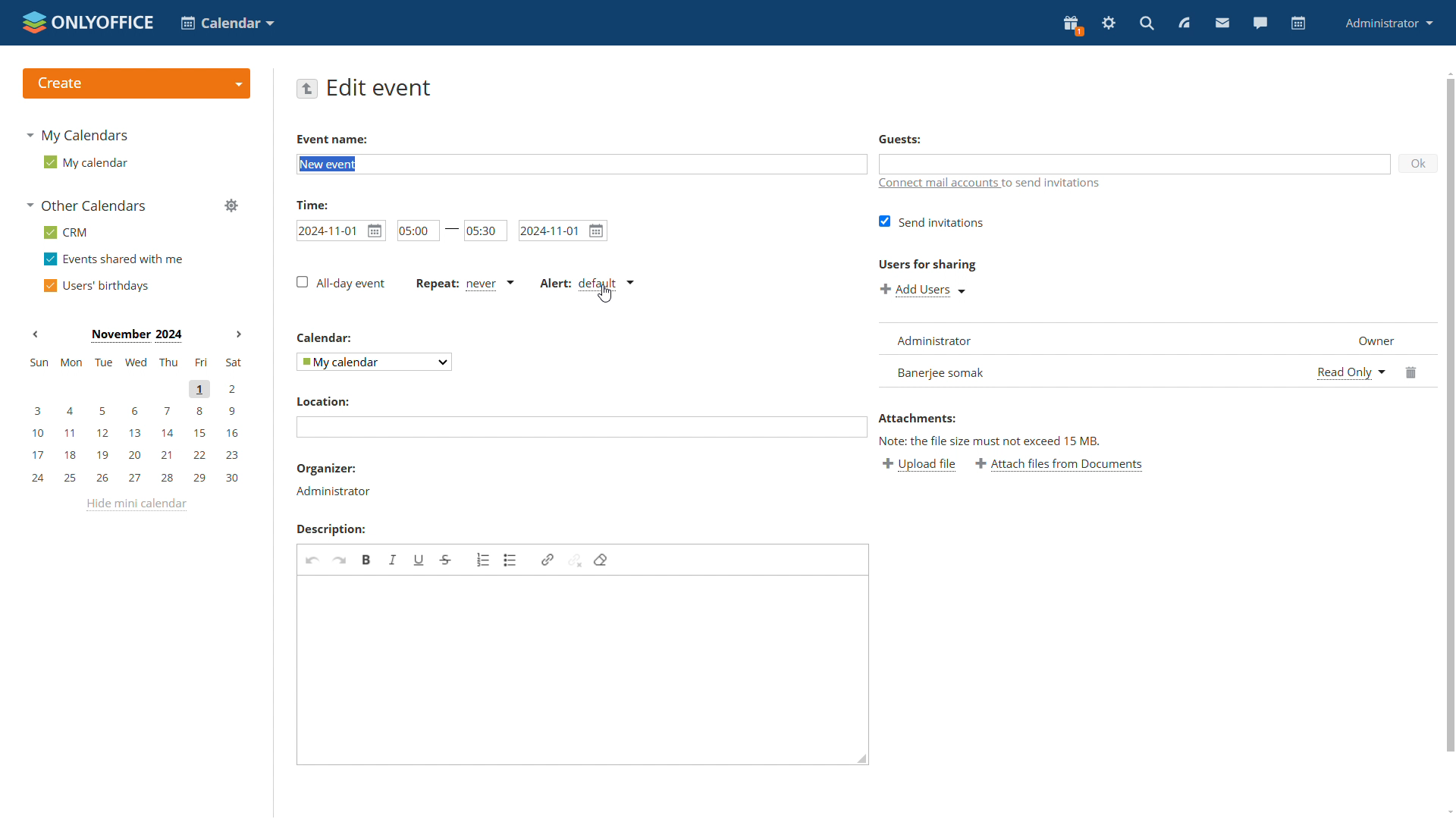  Describe the element at coordinates (367, 560) in the screenshot. I see `bold` at that location.